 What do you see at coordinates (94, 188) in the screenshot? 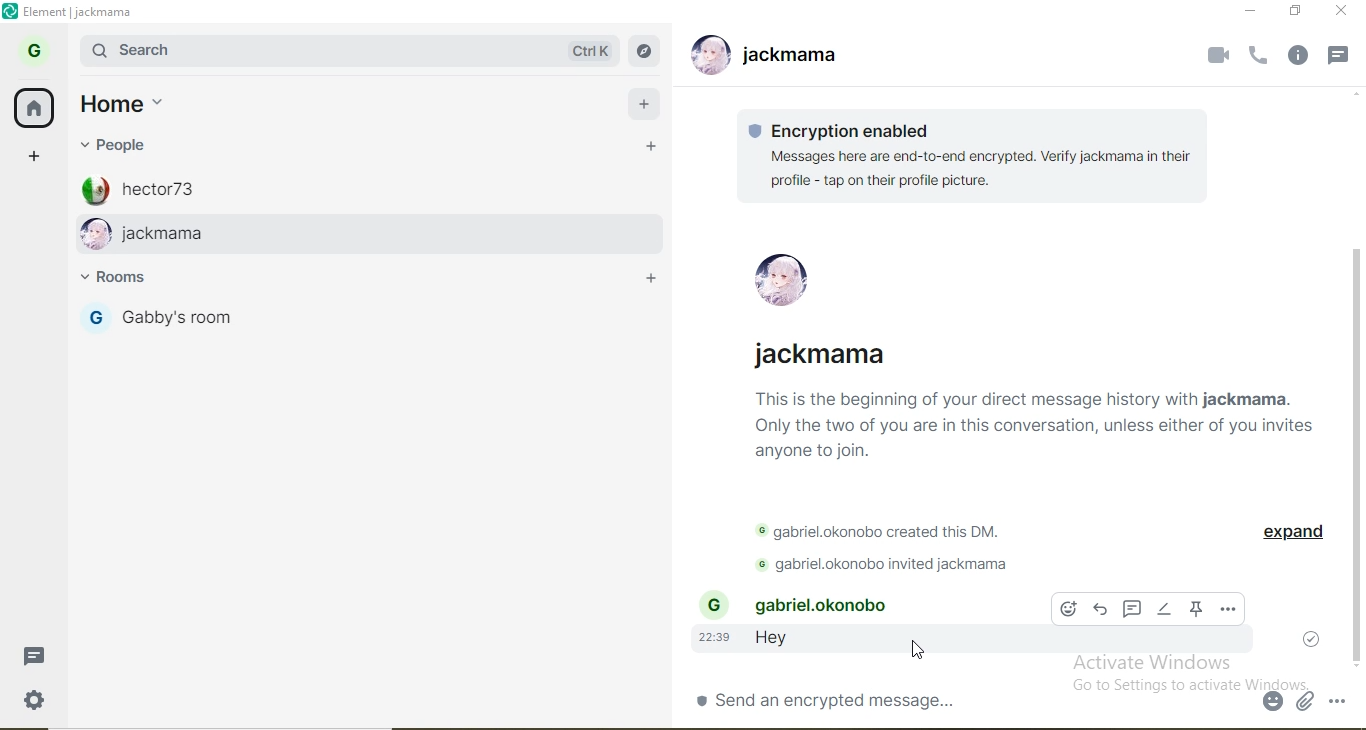
I see `profile image` at bounding box center [94, 188].